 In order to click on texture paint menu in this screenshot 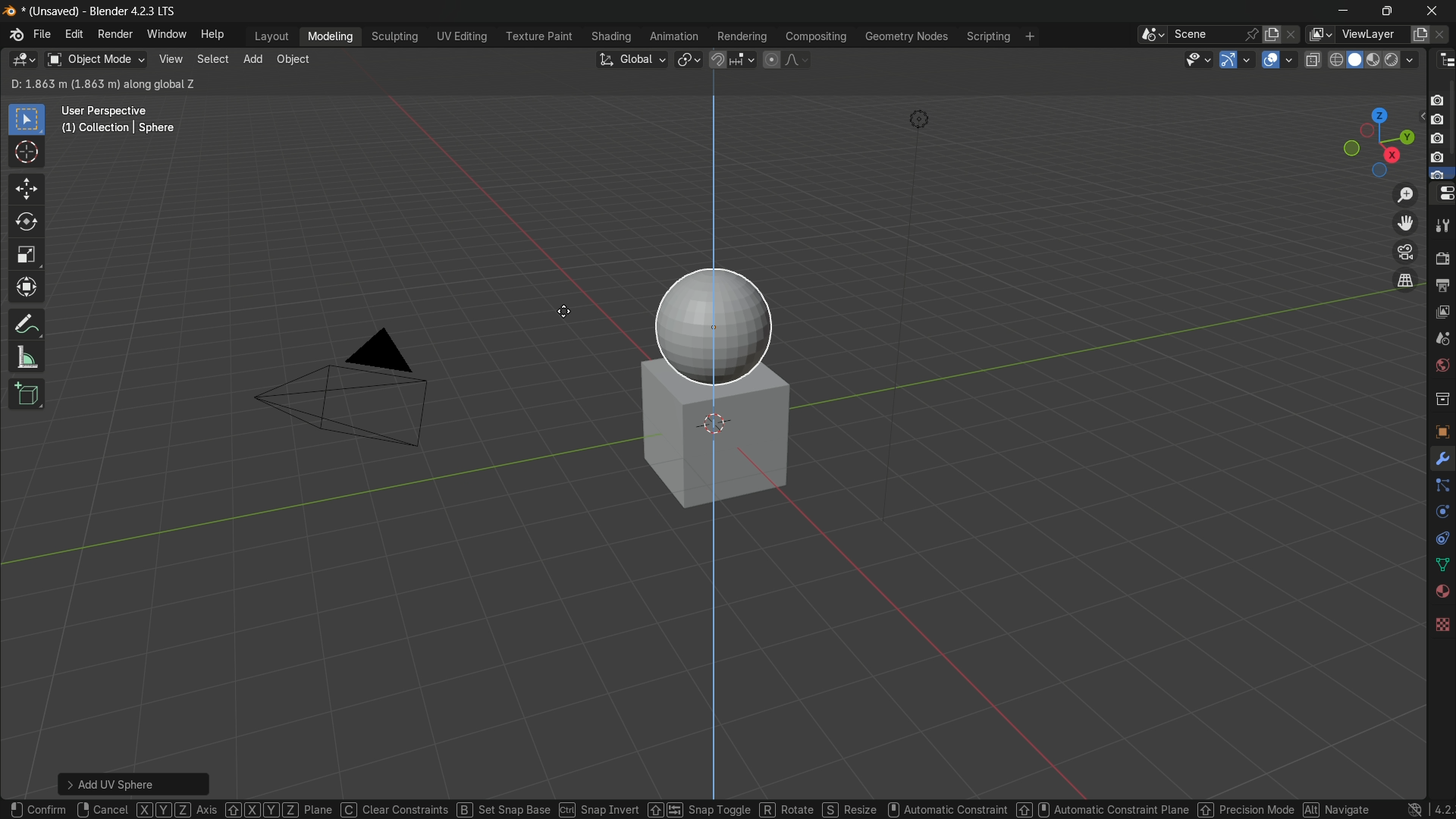, I will do `click(538, 38)`.